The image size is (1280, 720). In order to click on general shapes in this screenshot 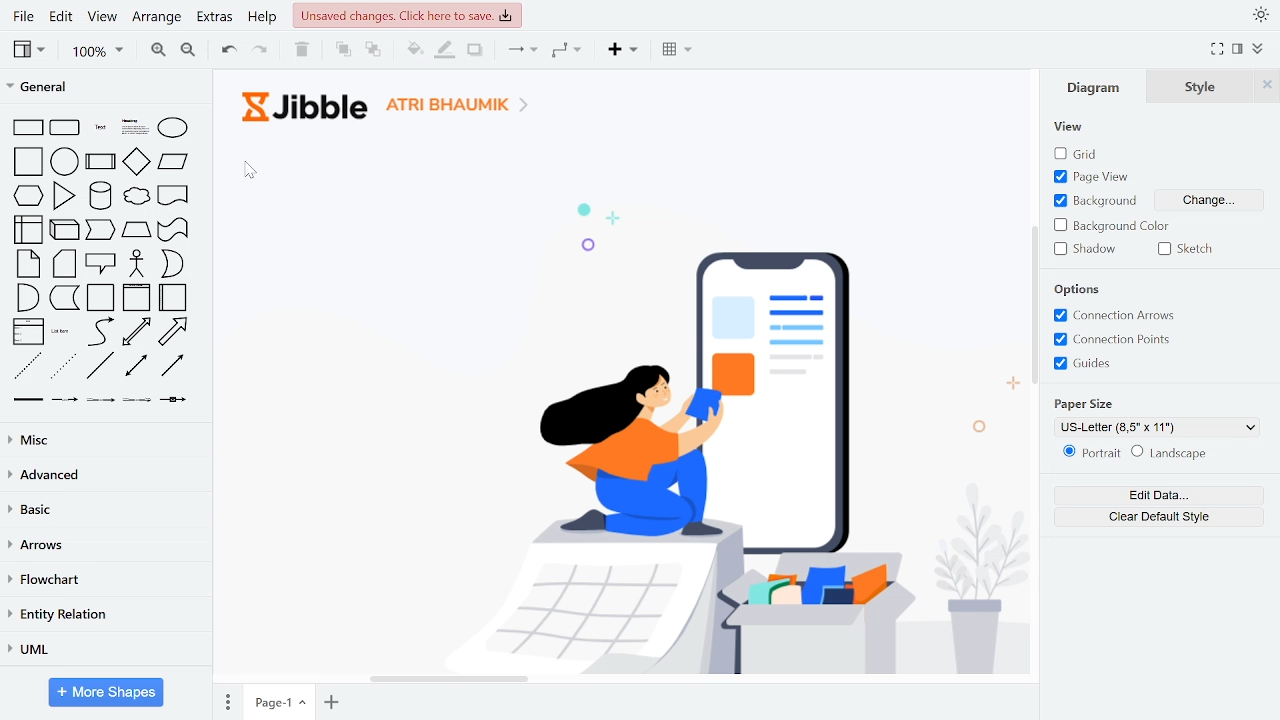, I will do `click(61, 366)`.